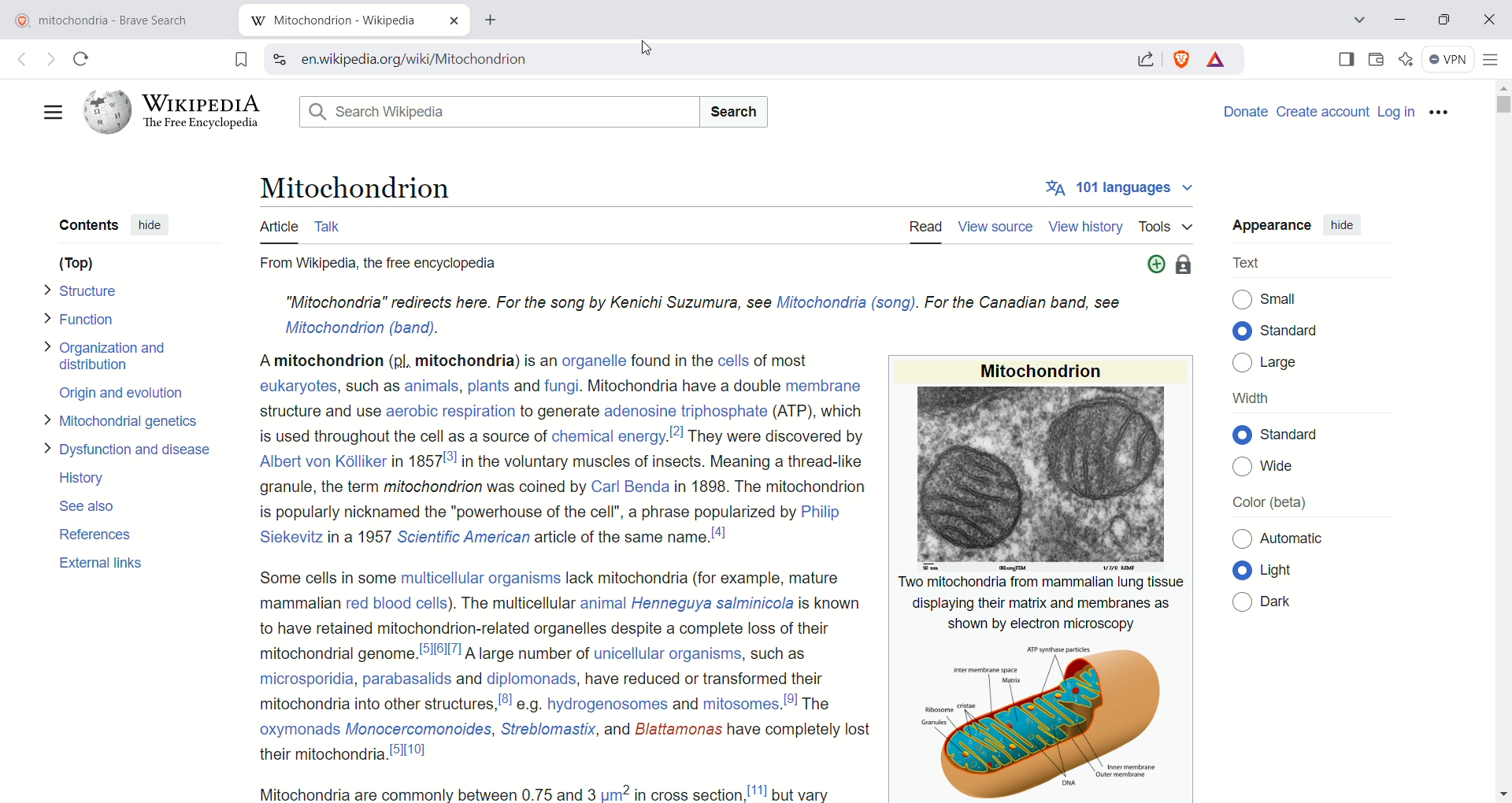  Describe the element at coordinates (116, 354) in the screenshot. I see `> Organization and
distribution` at that location.